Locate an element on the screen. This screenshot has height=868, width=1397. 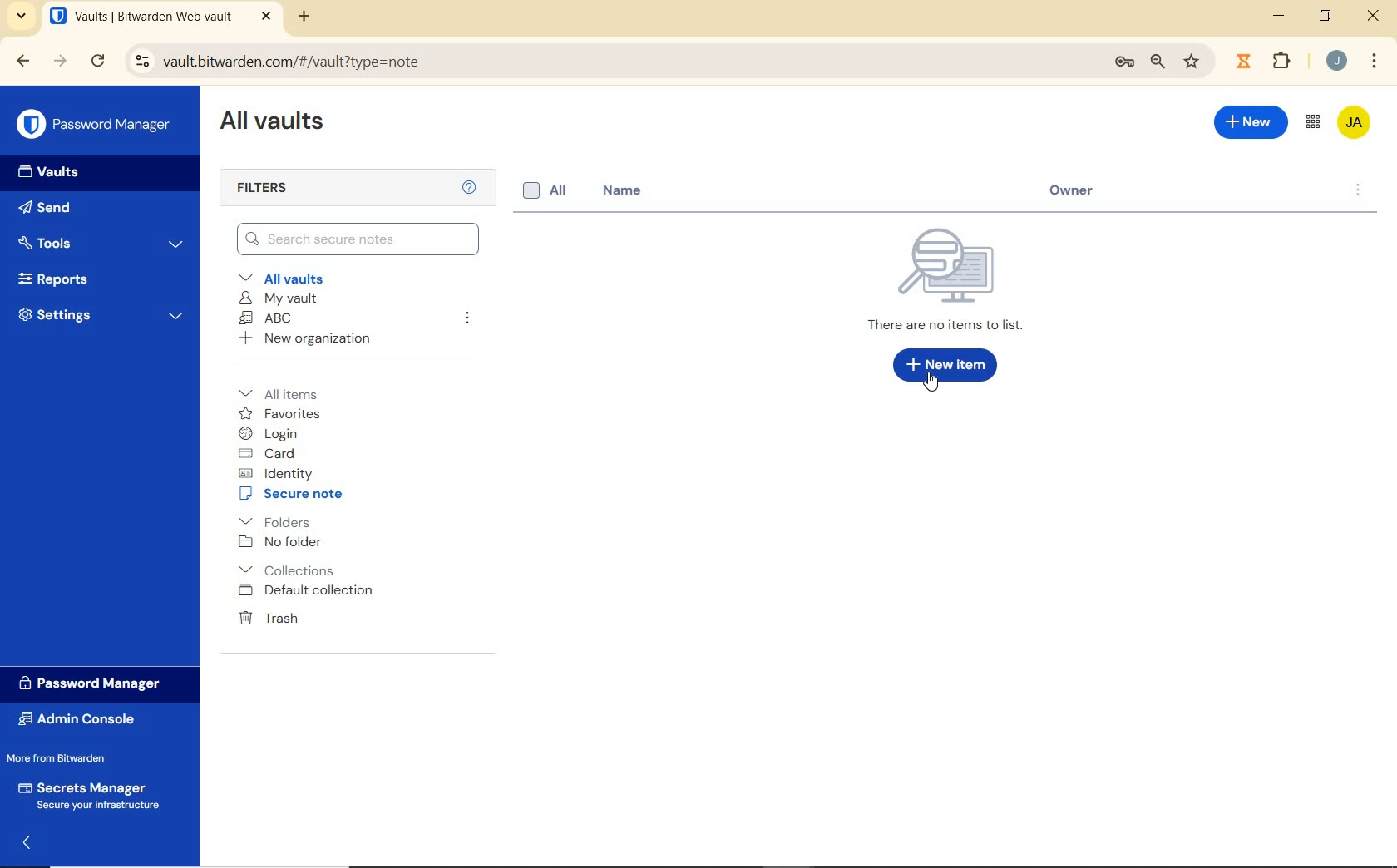
Trash is located at coordinates (268, 618).